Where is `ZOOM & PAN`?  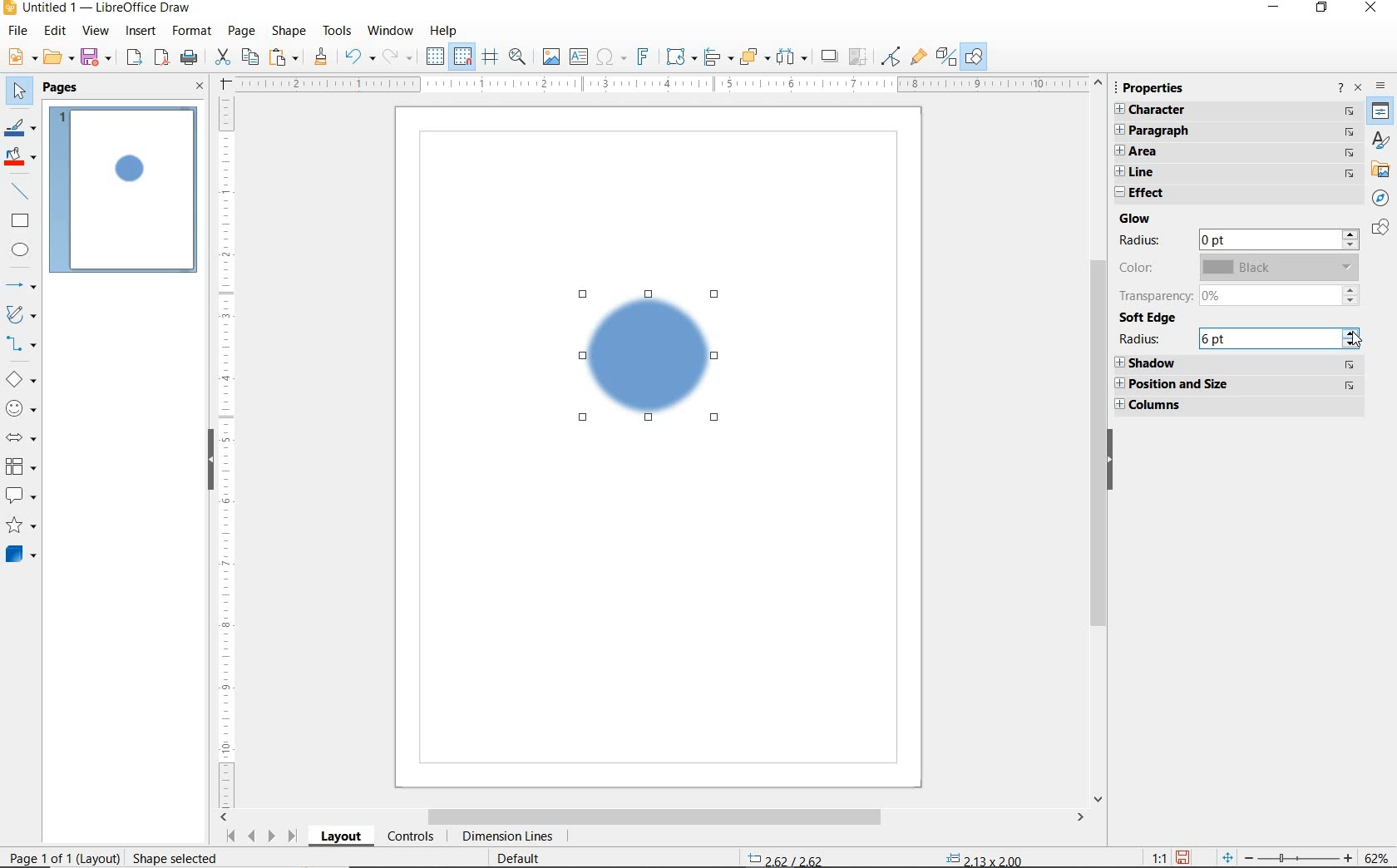 ZOOM & PAN is located at coordinates (520, 58).